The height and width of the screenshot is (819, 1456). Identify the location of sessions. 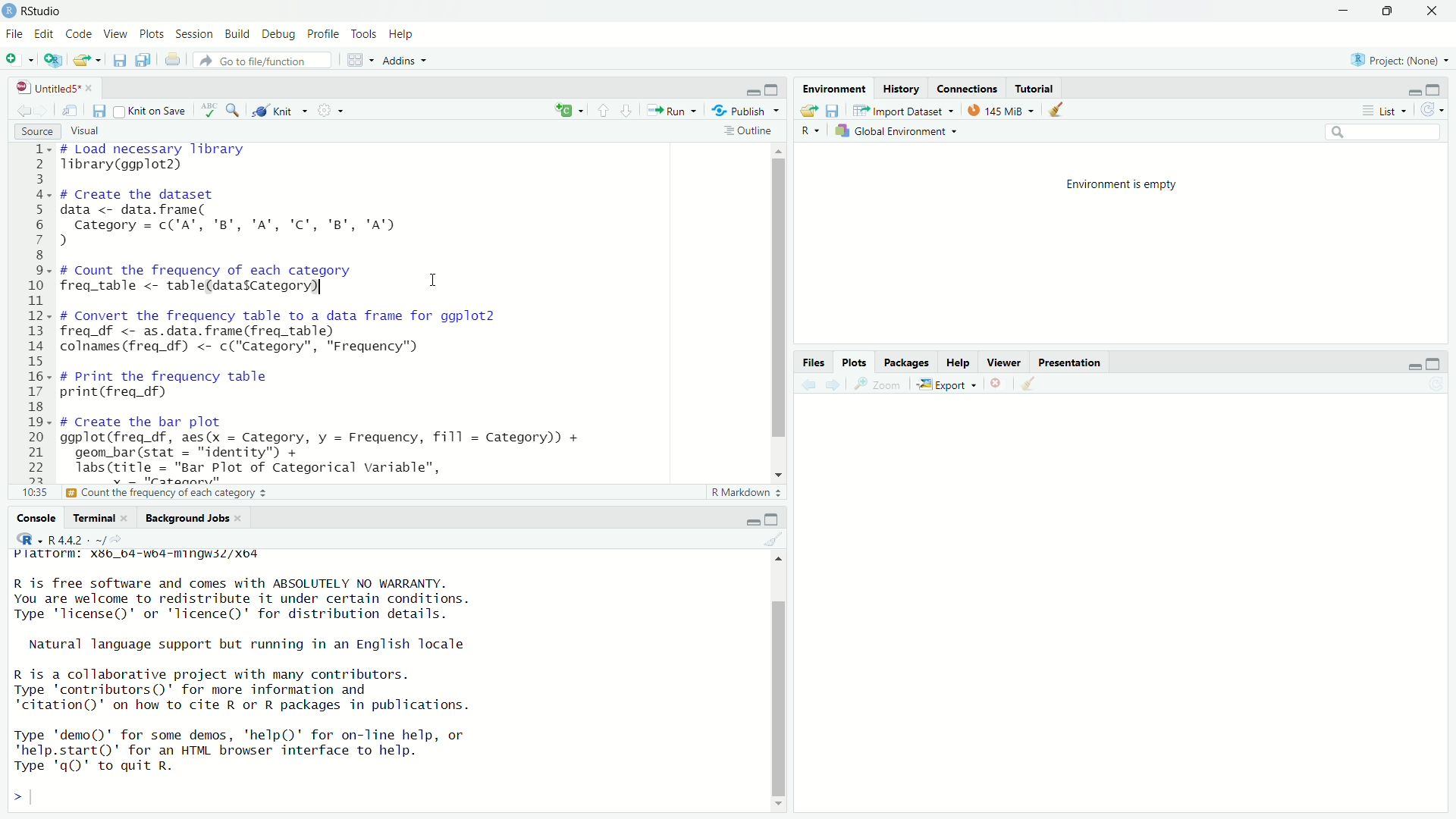
(193, 34).